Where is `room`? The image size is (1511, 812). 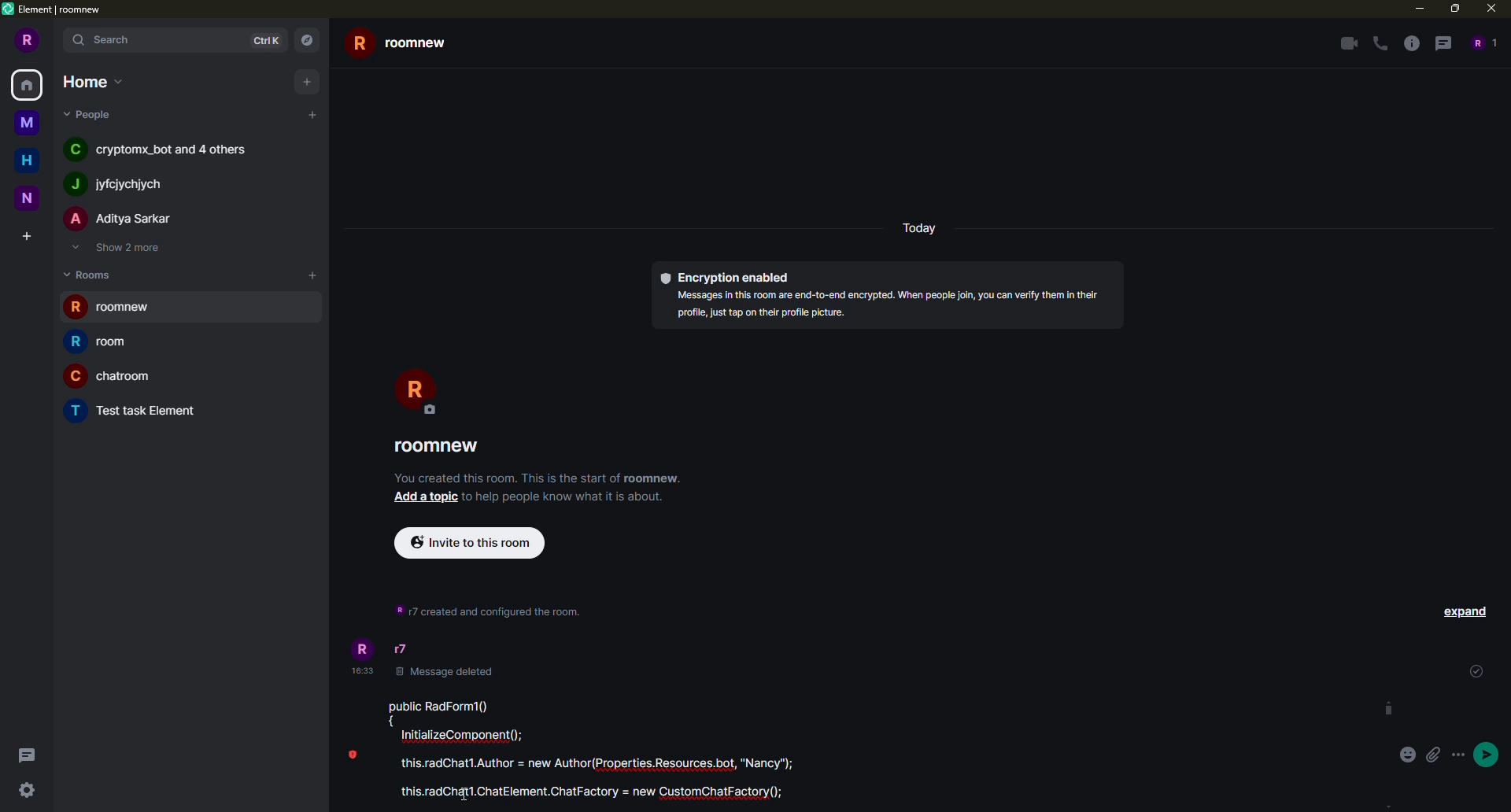 room is located at coordinates (138, 412).